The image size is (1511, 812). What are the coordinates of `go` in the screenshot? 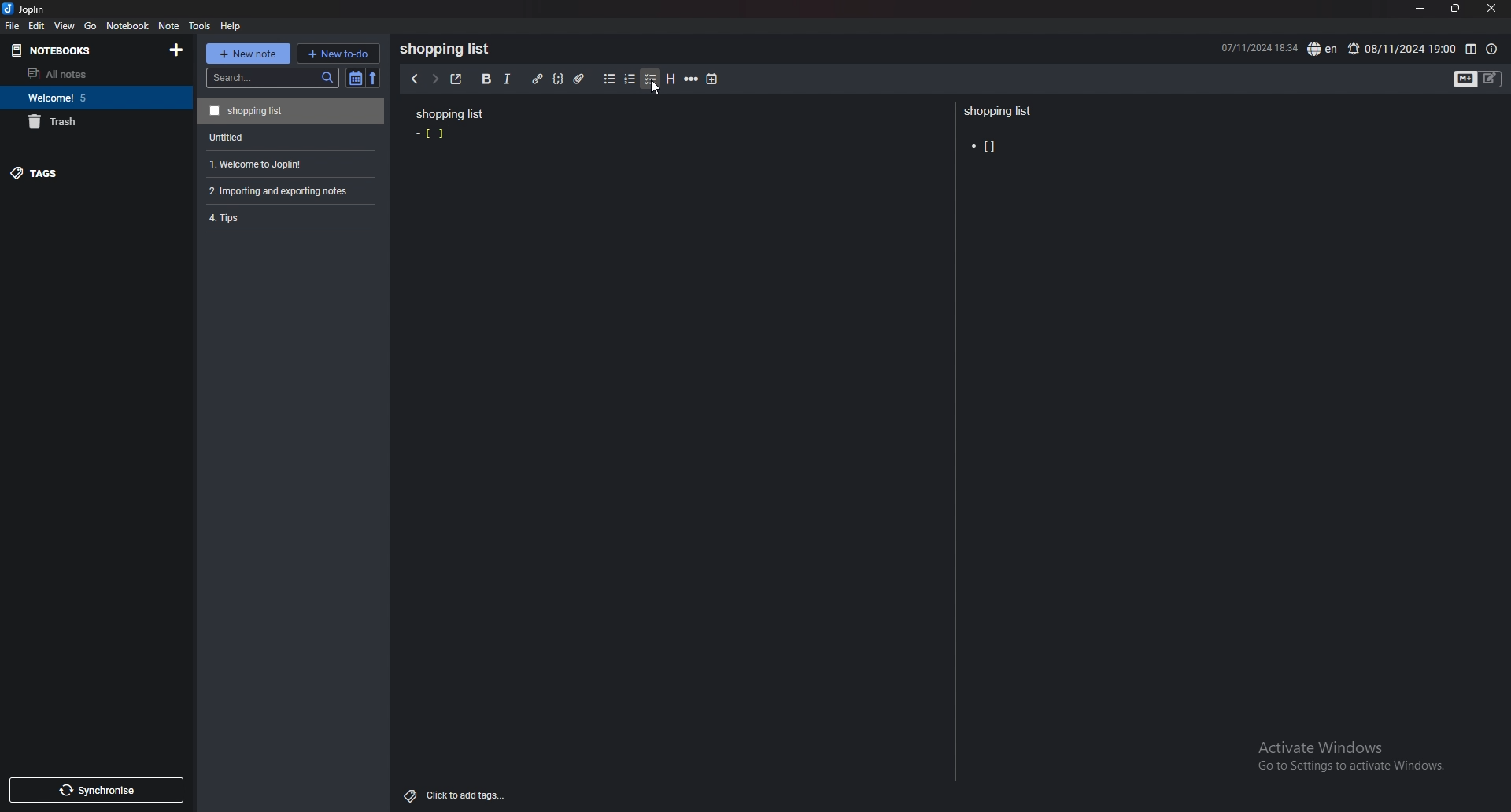 It's located at (91, 27).